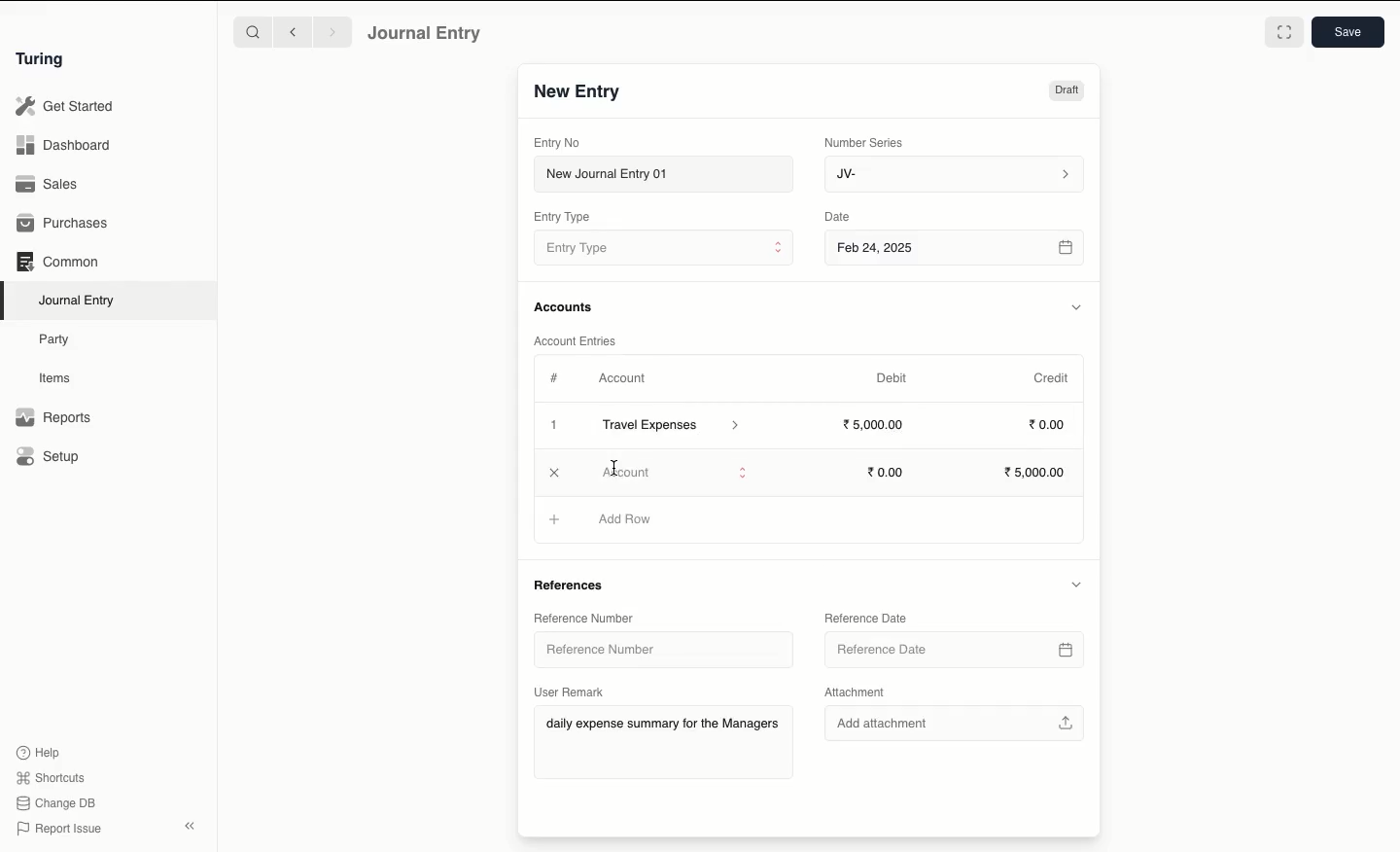  What do you see at coordinates (59, 340) in the screenshot?
I see `Party` at bounding box center [59, 340].